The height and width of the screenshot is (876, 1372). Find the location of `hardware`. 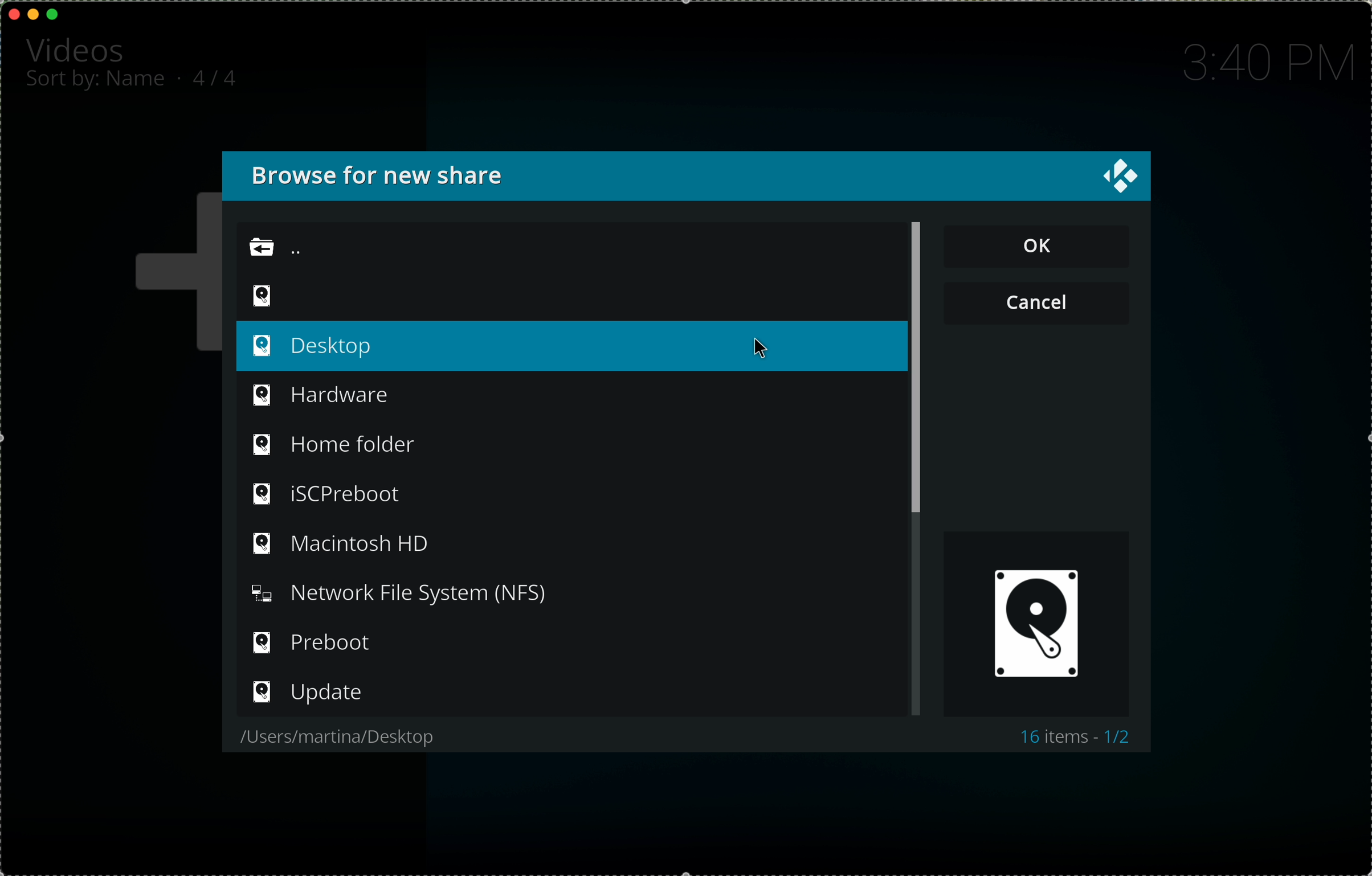

hardware is located at coordinates (323, 397).